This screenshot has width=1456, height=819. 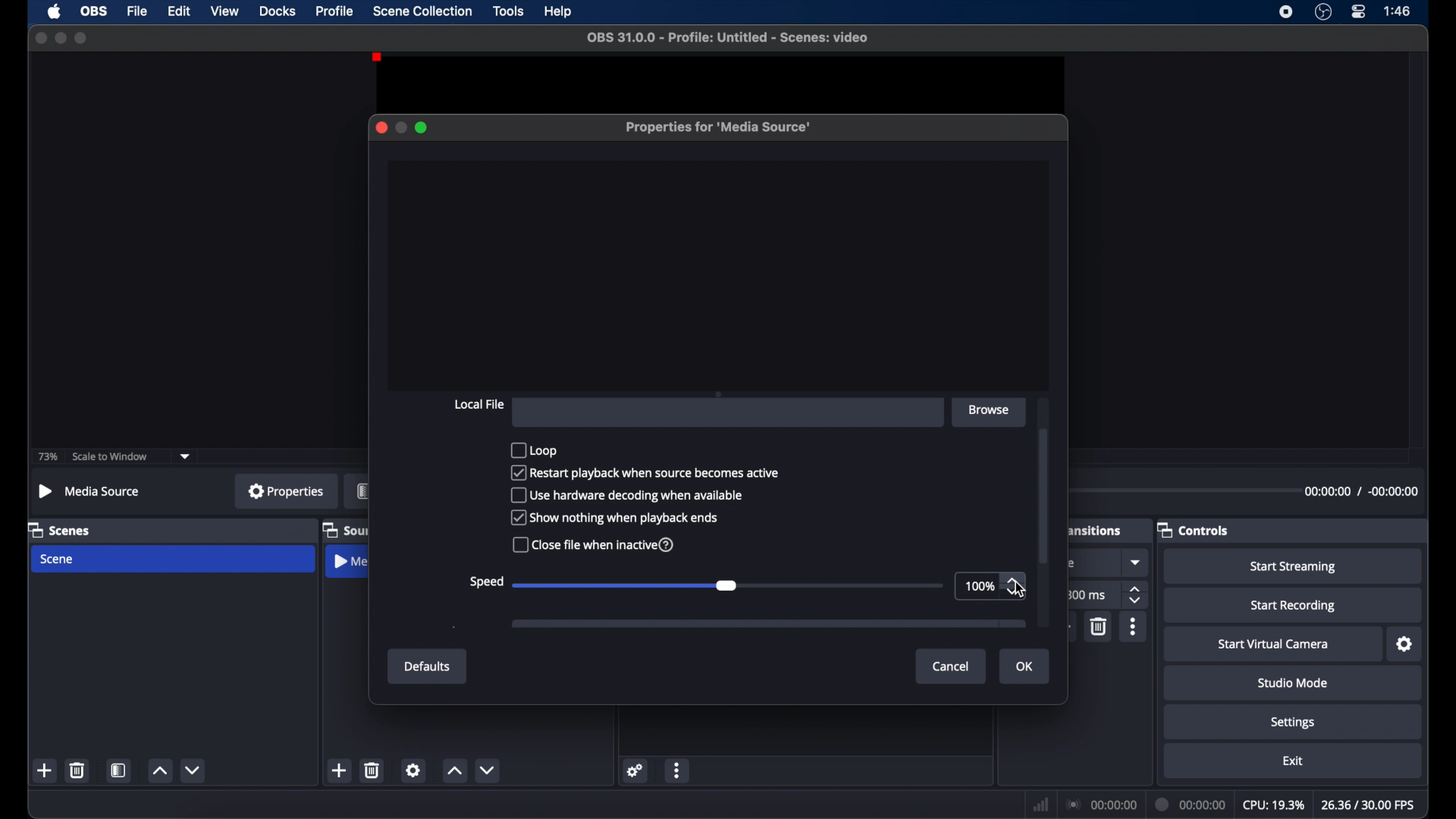 What do you see at coordinates (1293, 567) in the screenshot?
I see `start streaming` at bounding box center [1293, 567].